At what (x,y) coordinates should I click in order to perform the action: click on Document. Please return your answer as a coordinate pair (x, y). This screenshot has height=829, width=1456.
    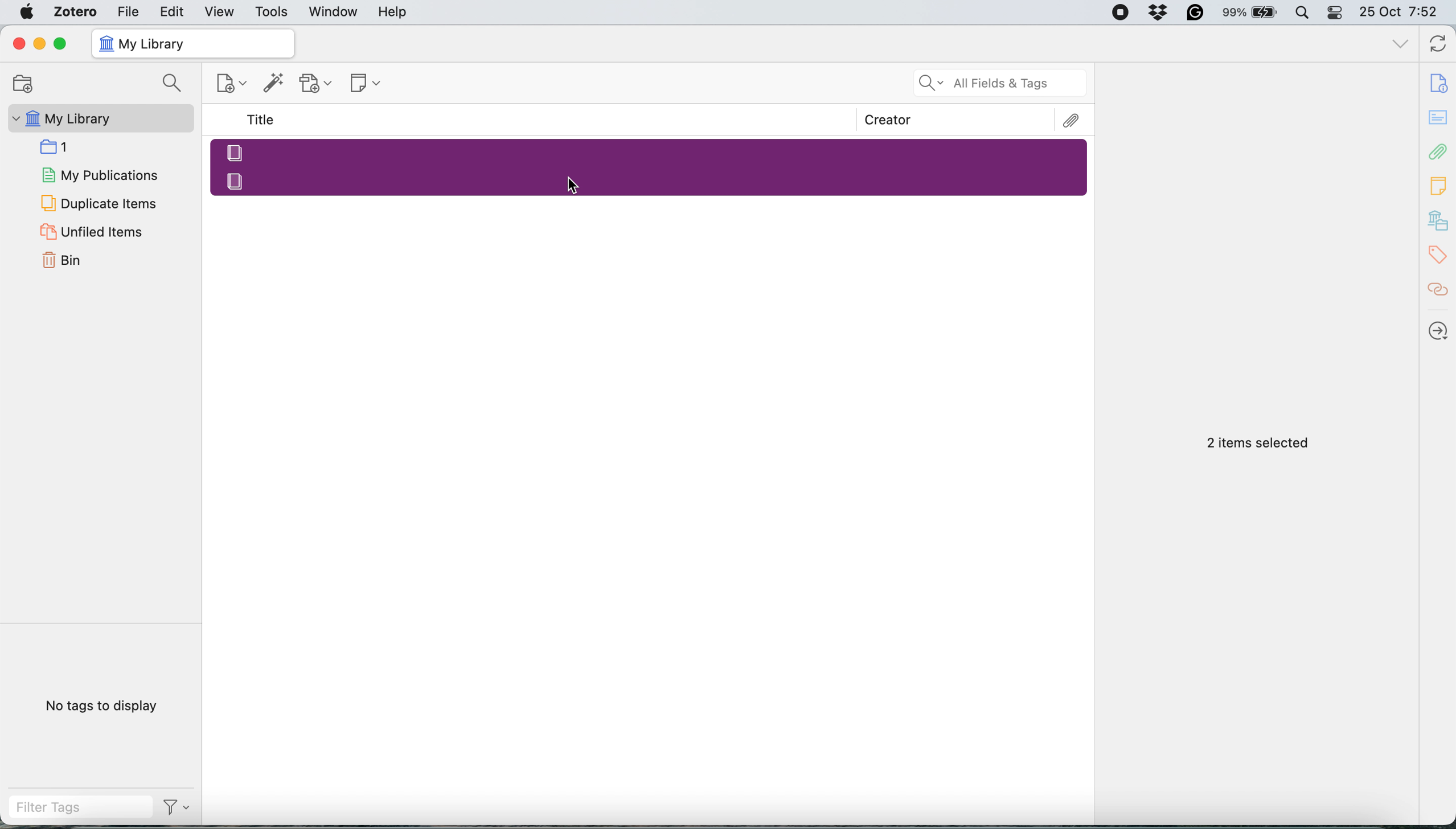
    Looking at the image, I should click on (1439, 83).